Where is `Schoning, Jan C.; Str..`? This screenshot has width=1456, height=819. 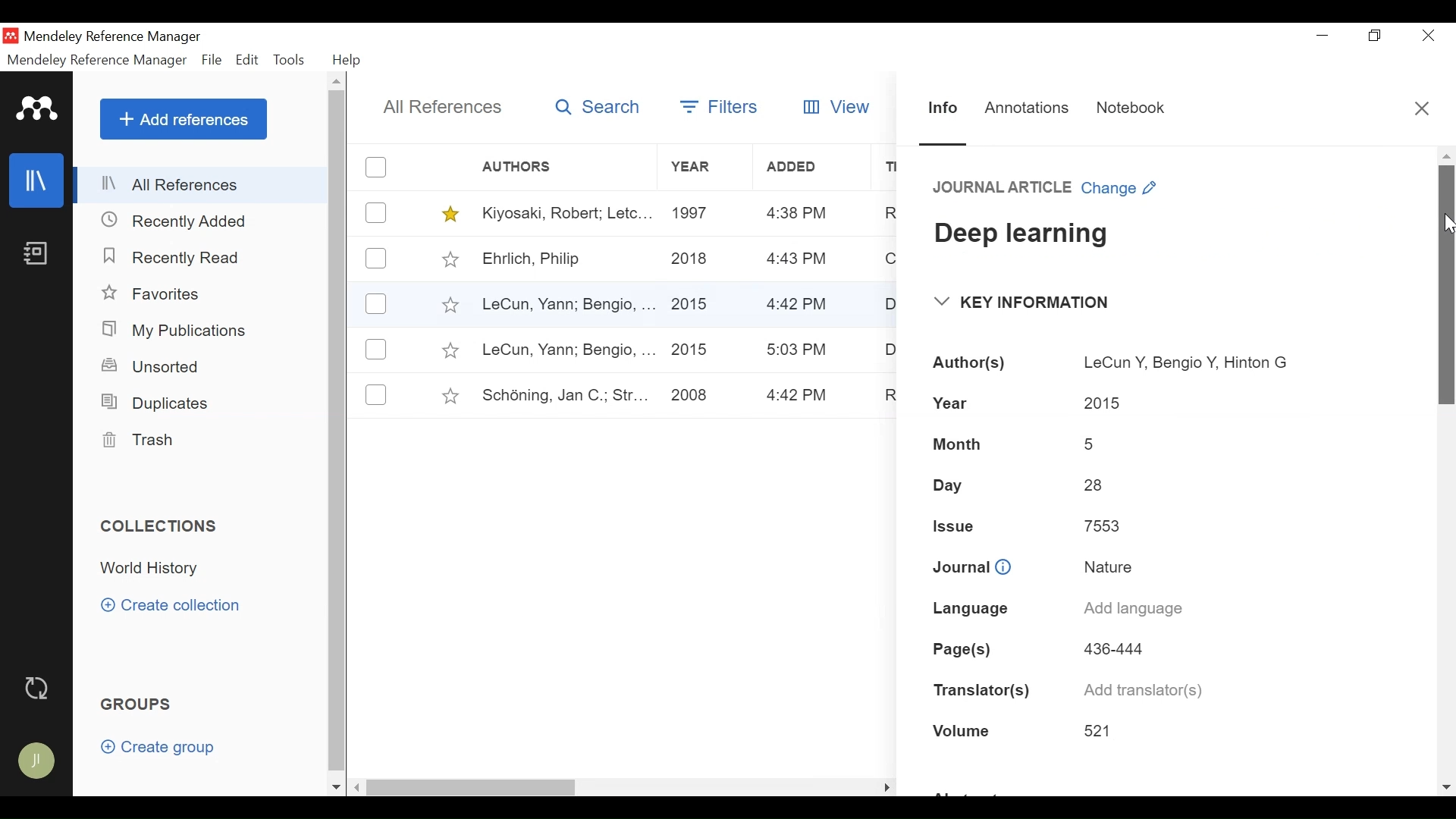
Schoning, Jan C.; Str.. is located at coordinates (560, 393).